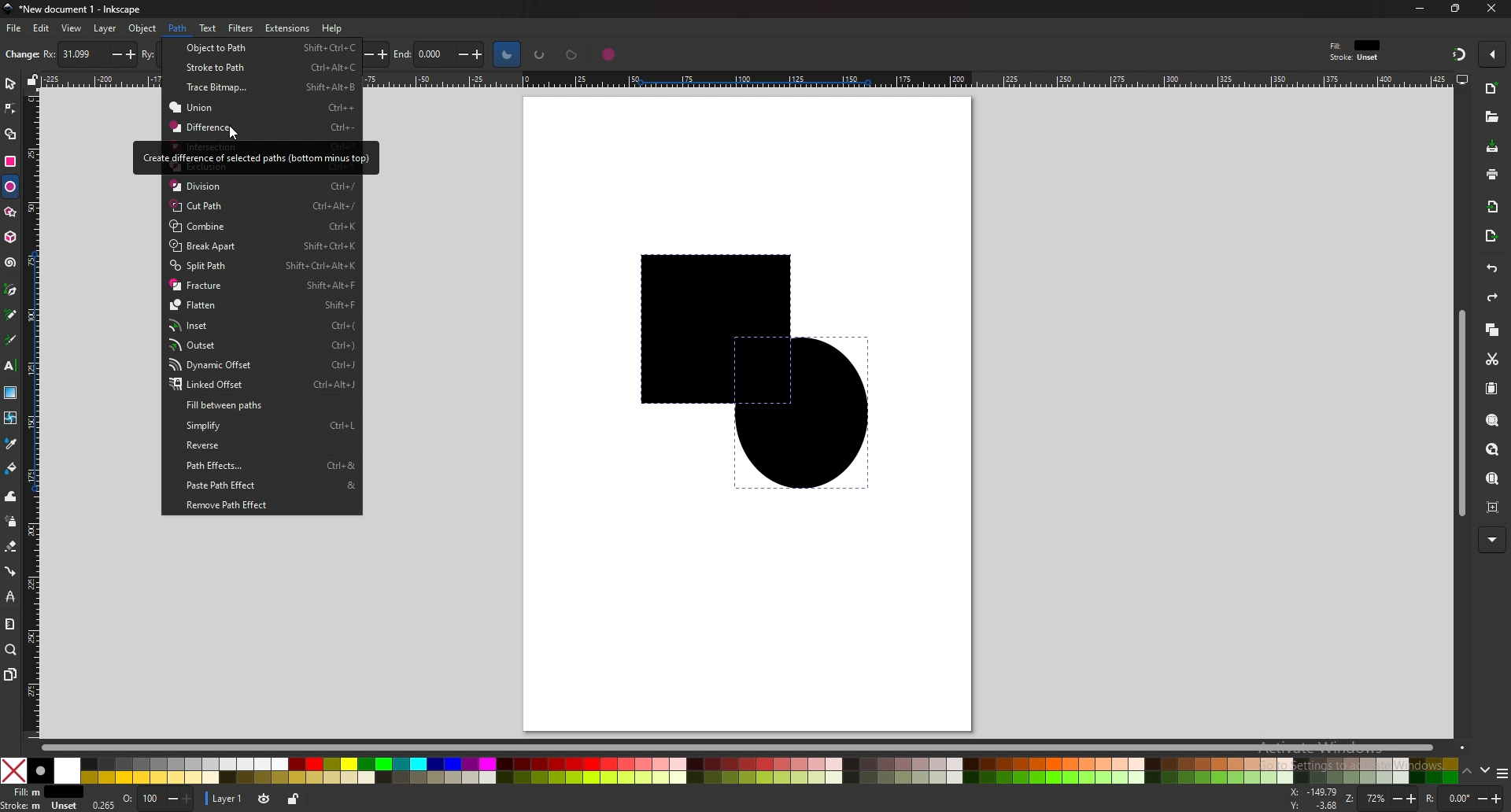 The height and width of the screenshot is (812, 1511). What do you see at coordinates (1382, 799) in the screenshot?
I see `zoom` at bounding box center [1382, 799].